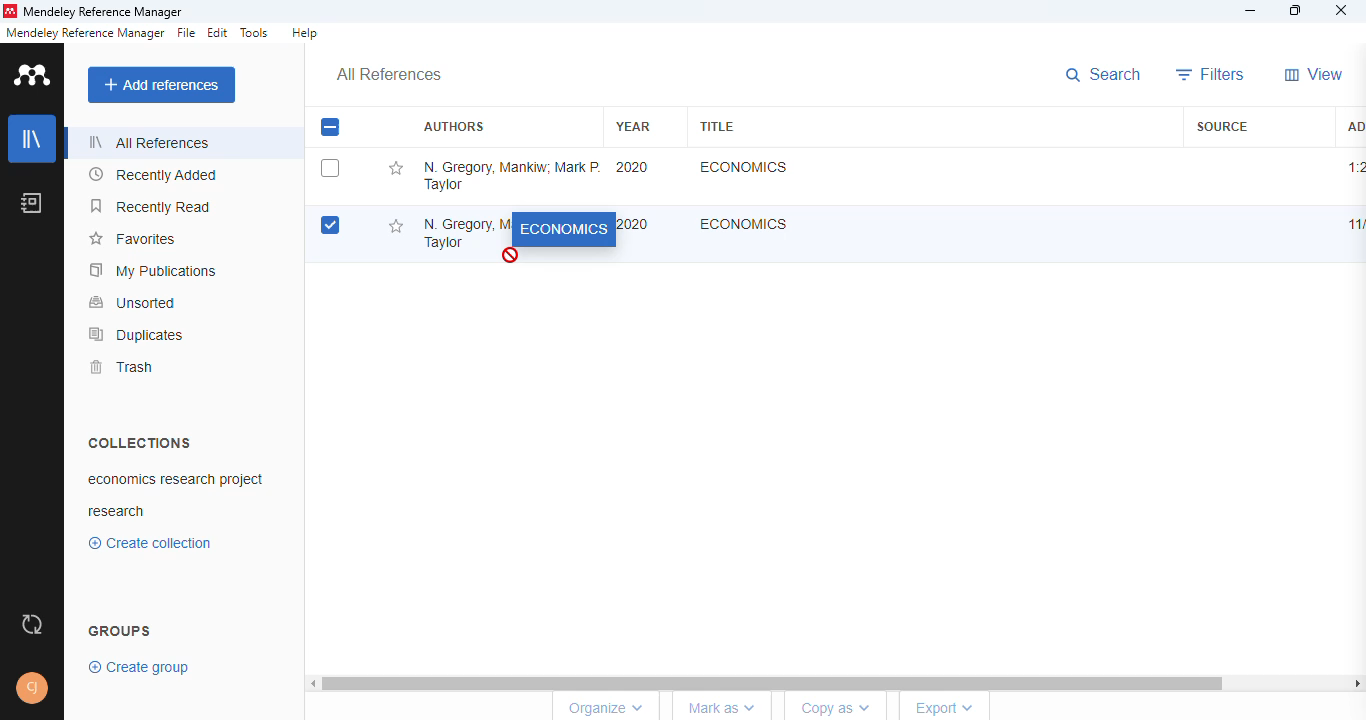  What do you see at coordinates (1353, 125) in the screenshot?
I see `added` at bounding box center [1353, 125].